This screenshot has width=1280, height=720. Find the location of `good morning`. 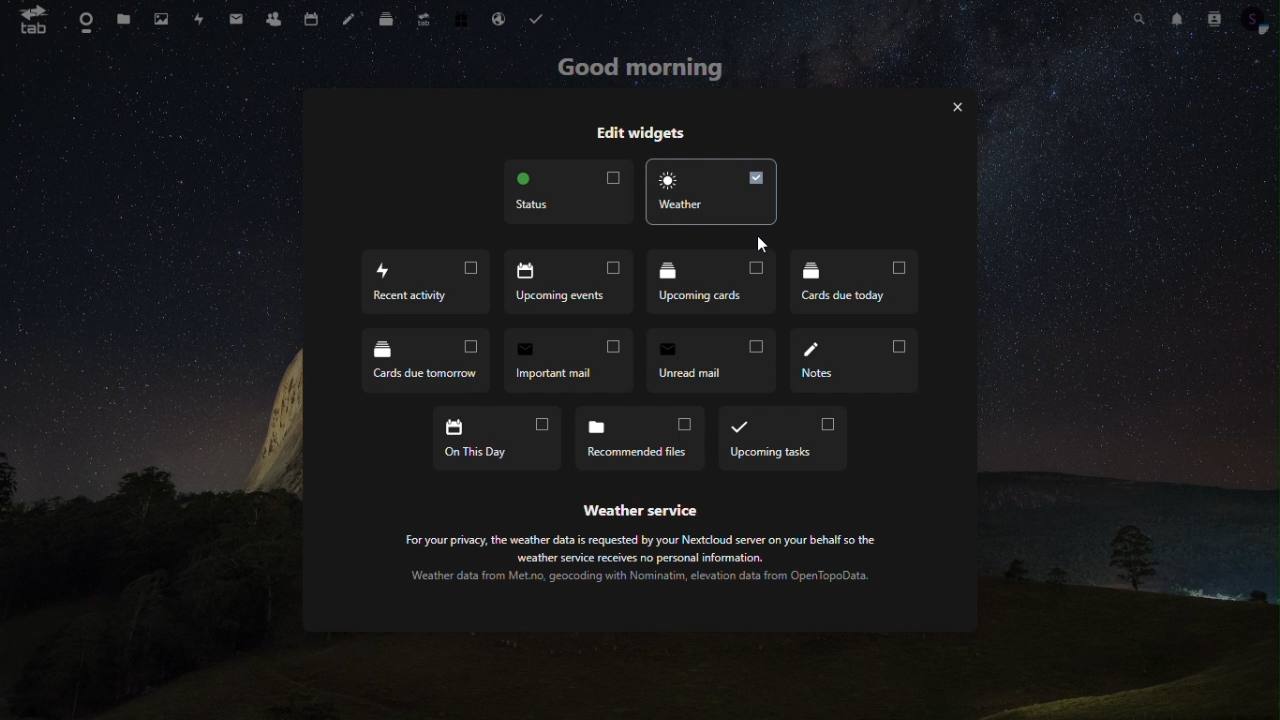

good morning is located at coordinates (644, 68).